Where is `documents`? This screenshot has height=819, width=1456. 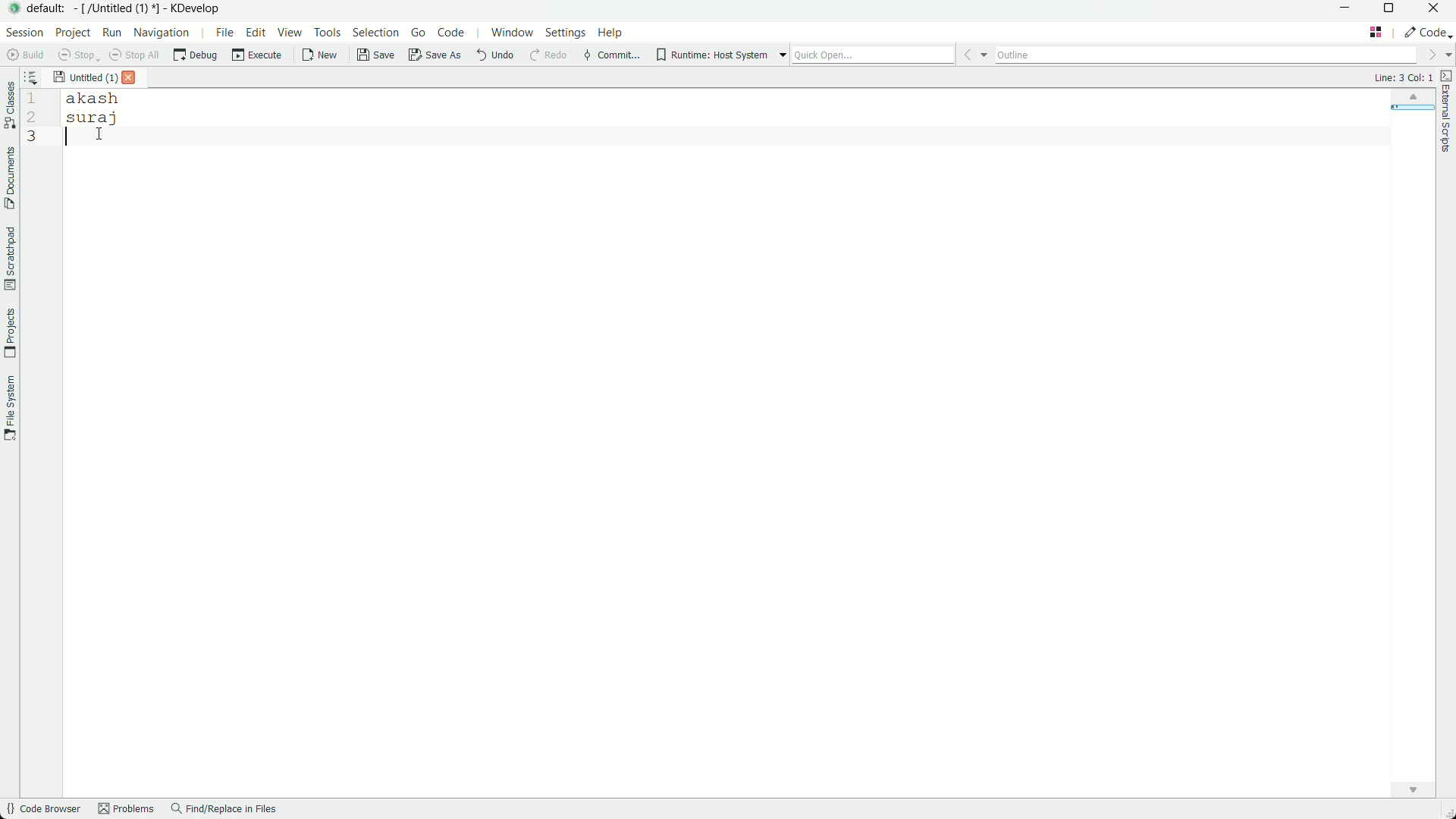 documents is located at coordinates (9, 178).